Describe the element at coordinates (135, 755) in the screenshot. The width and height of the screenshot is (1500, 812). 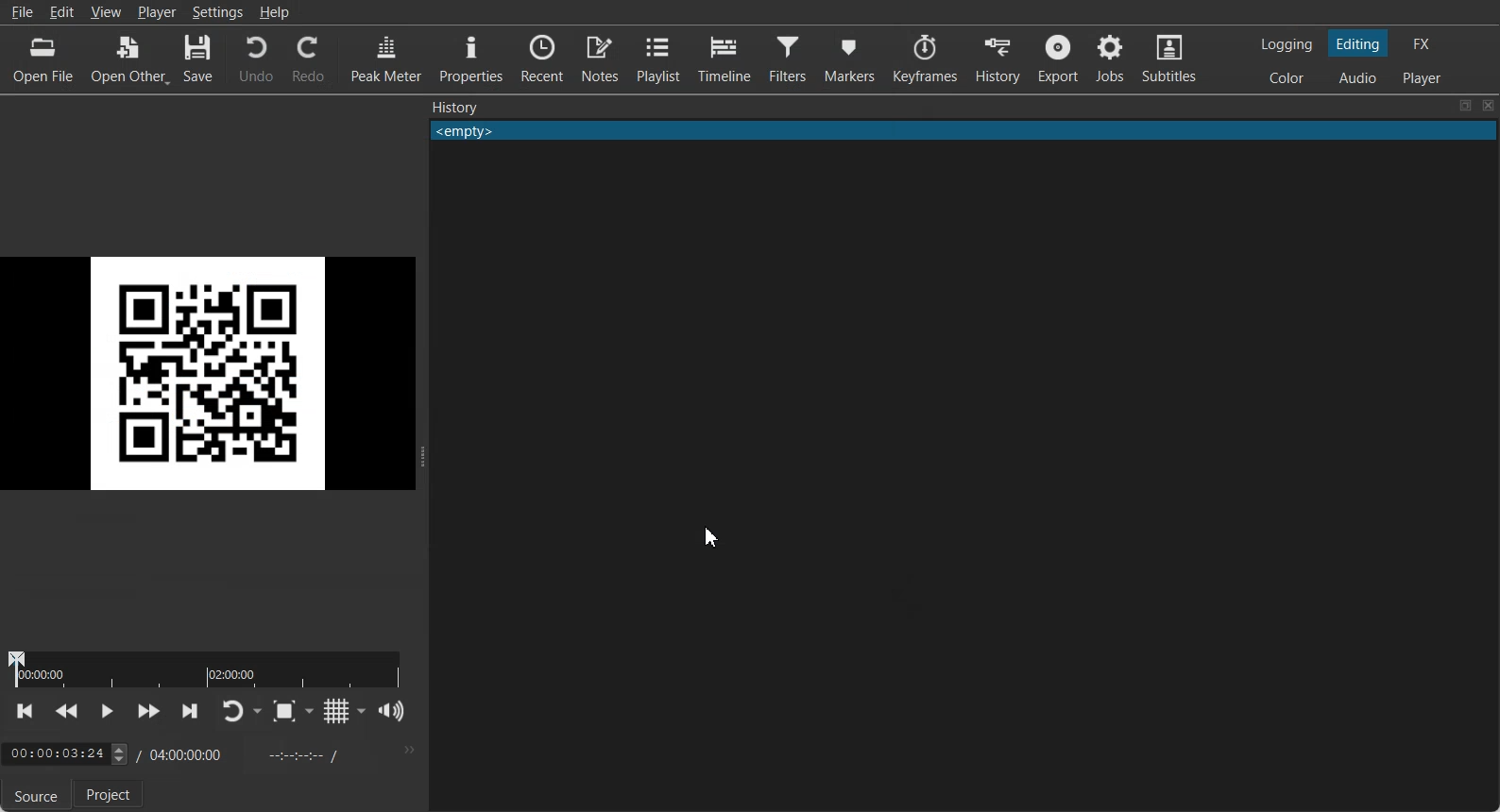
I see `/` at that location.